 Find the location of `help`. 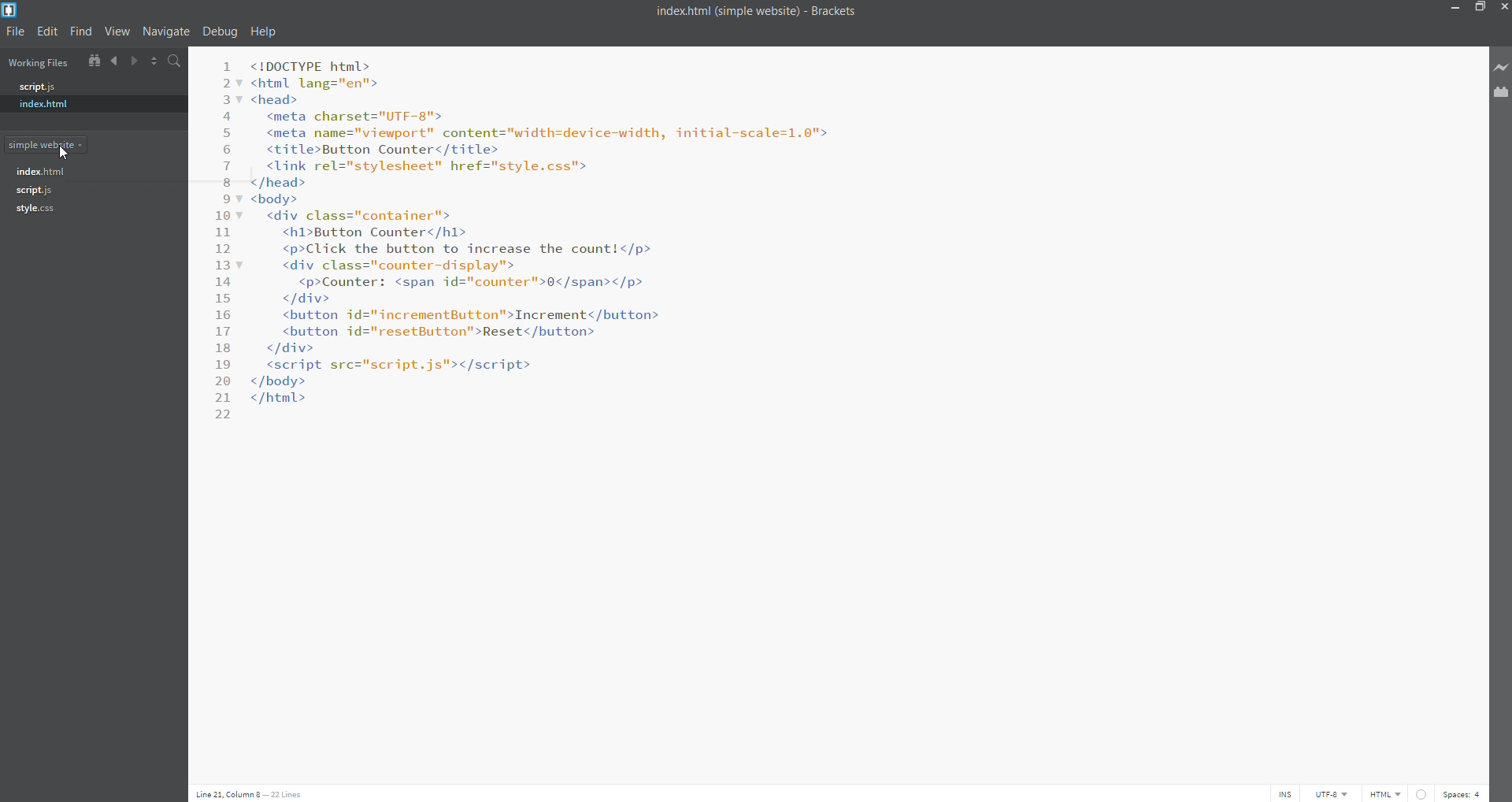

help is located at coordinates (265, 31).